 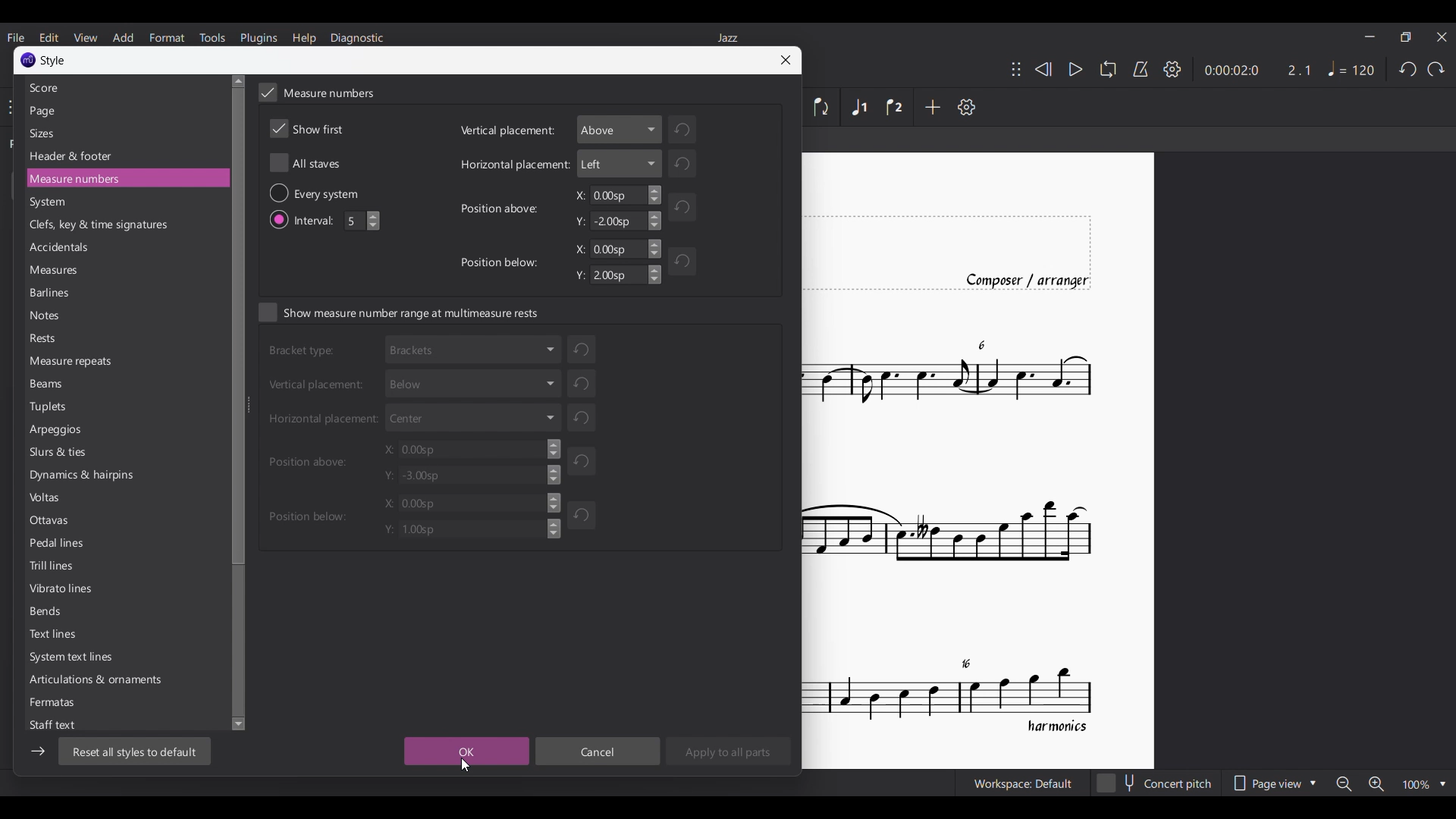 What do you see at coordinates (58, 544) in the screenshot?
I see `Pedal lines` at bounding box center [58, 544].